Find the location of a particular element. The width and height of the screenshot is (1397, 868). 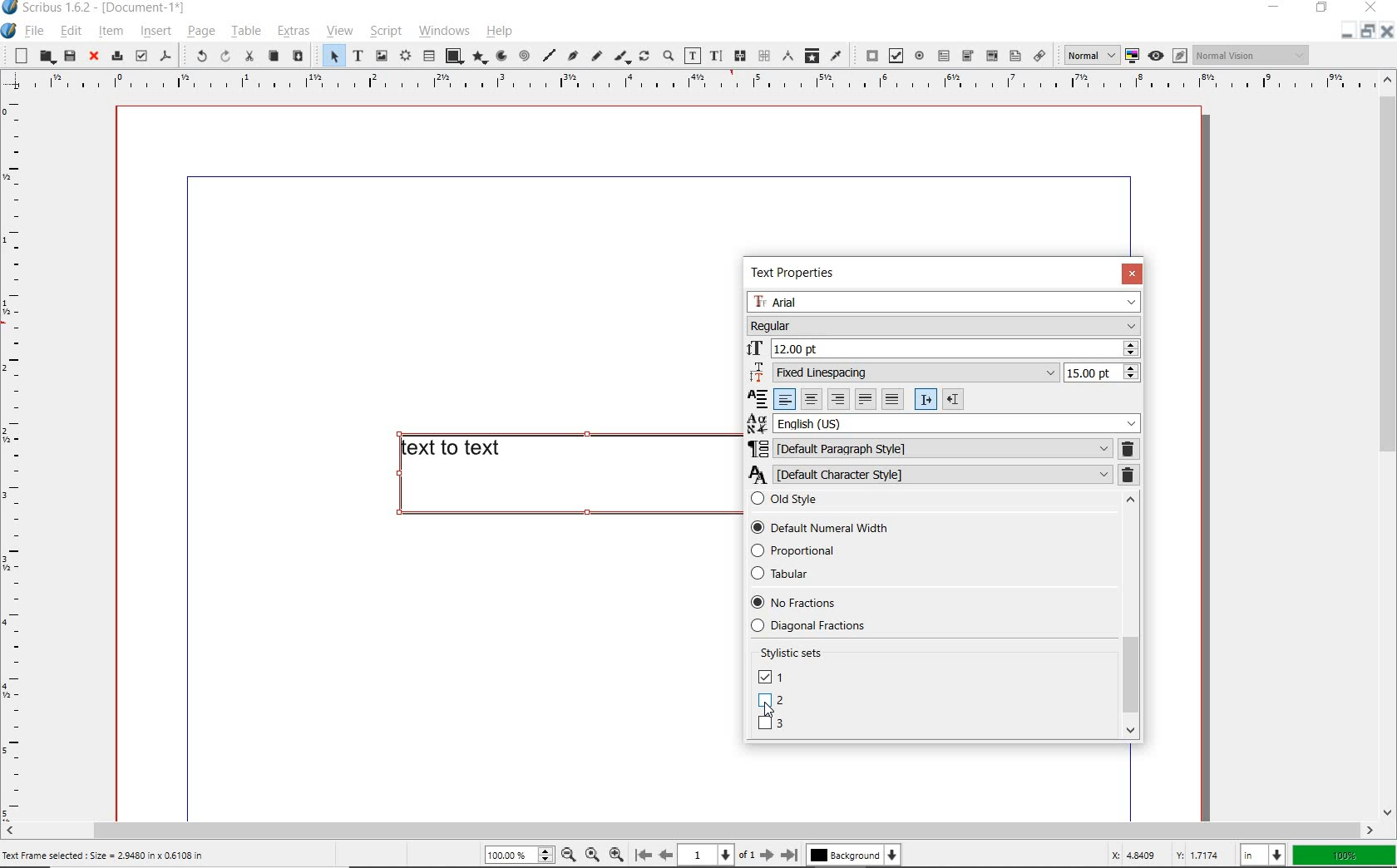

link annotation is located at coordinates (1040, 55).